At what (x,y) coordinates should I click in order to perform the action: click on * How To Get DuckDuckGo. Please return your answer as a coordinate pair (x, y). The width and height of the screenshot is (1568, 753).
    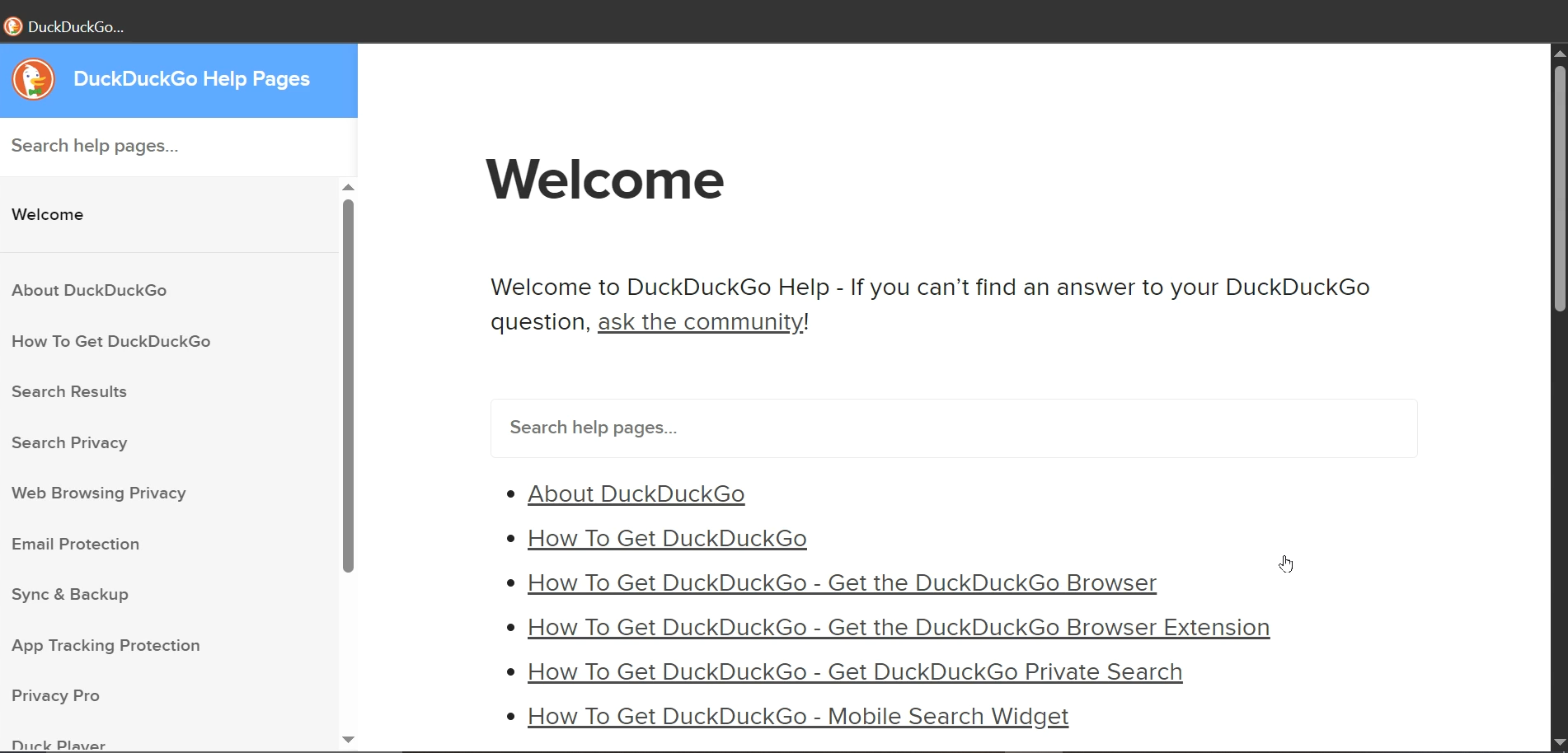
    Looking at the image, I should click on (659, 539).